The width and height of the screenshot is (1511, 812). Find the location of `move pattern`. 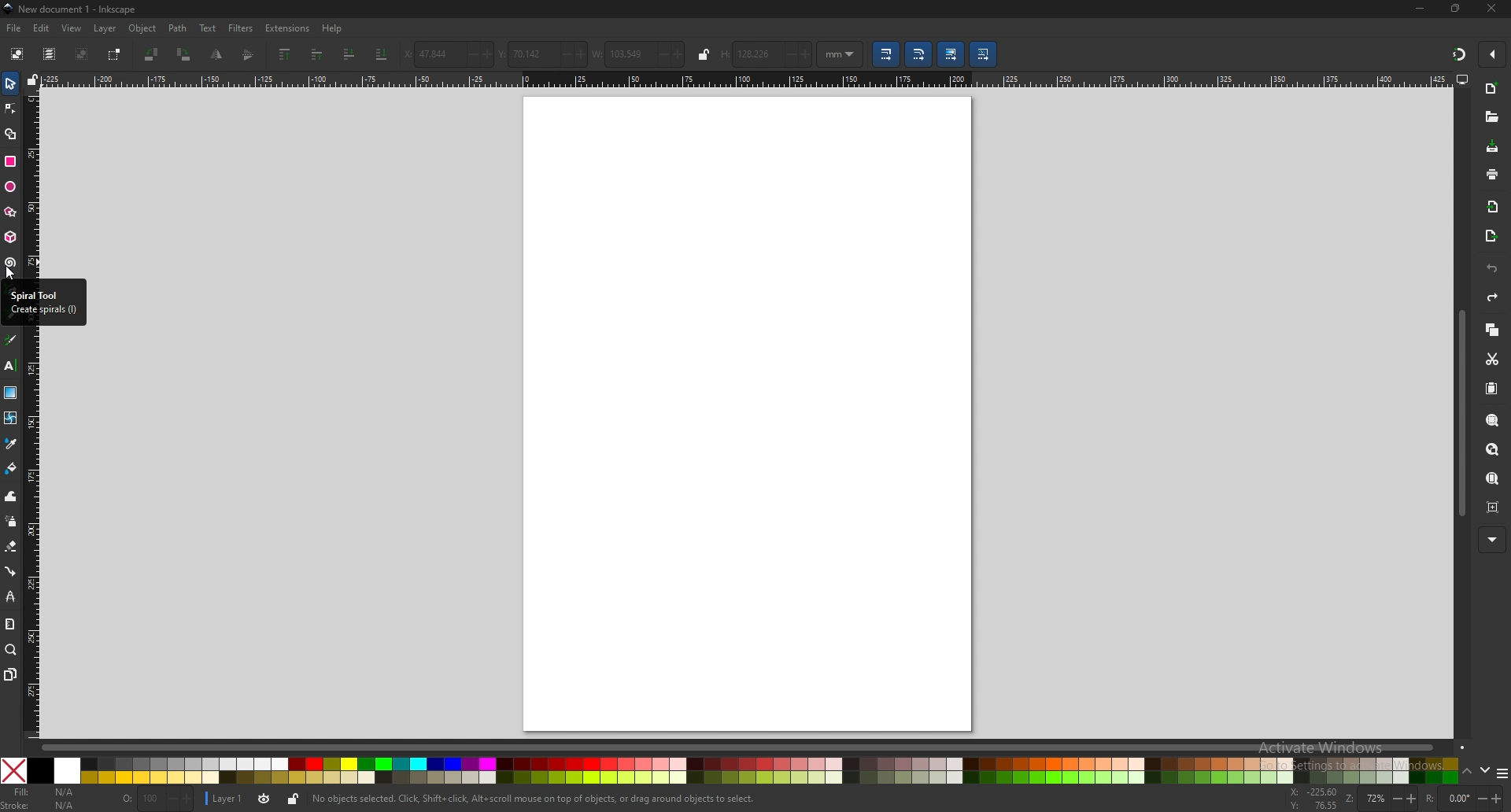

move pattern is located at coordinates (984, 54).